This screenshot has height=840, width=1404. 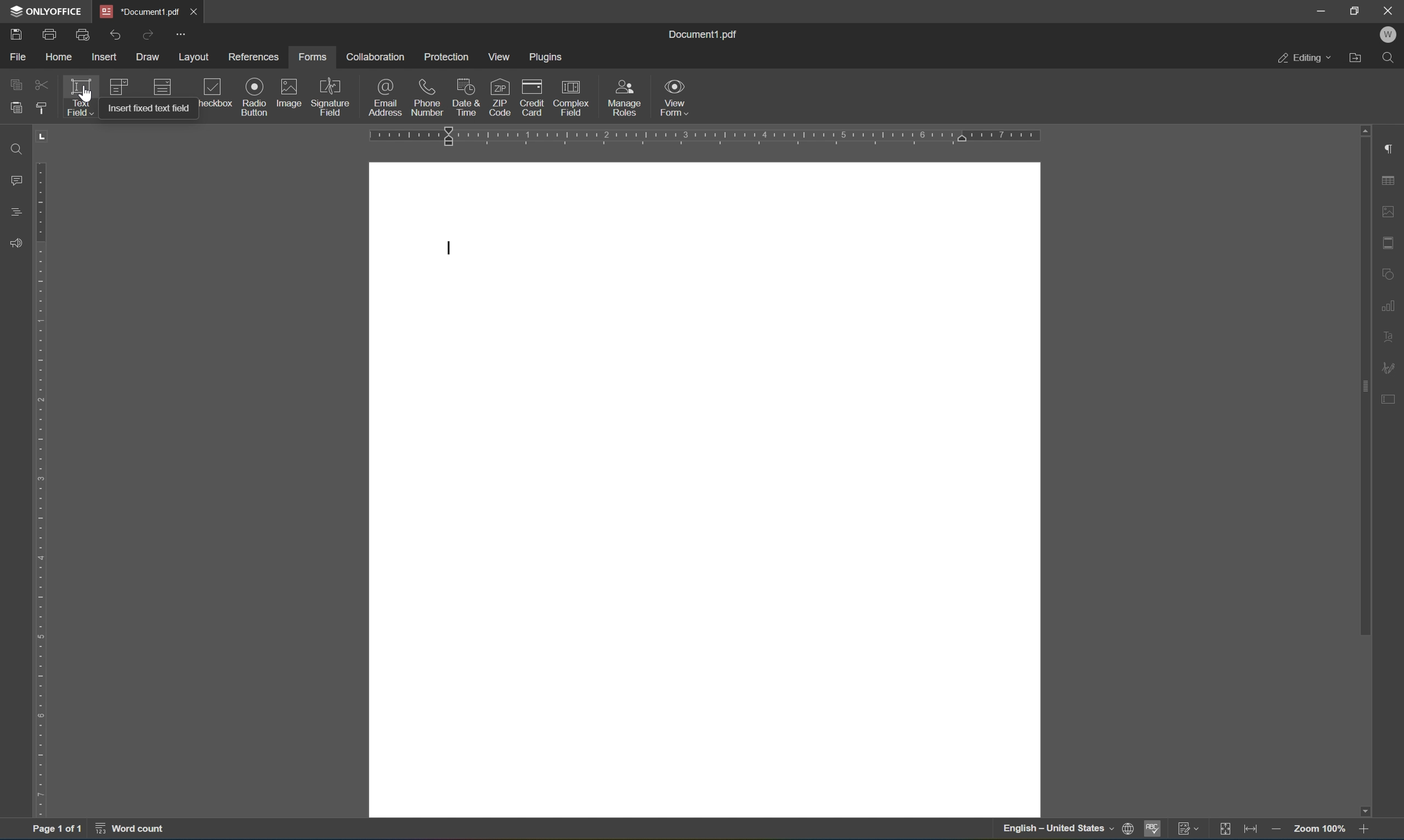 I want to click on close, so click(x=192, y=11).